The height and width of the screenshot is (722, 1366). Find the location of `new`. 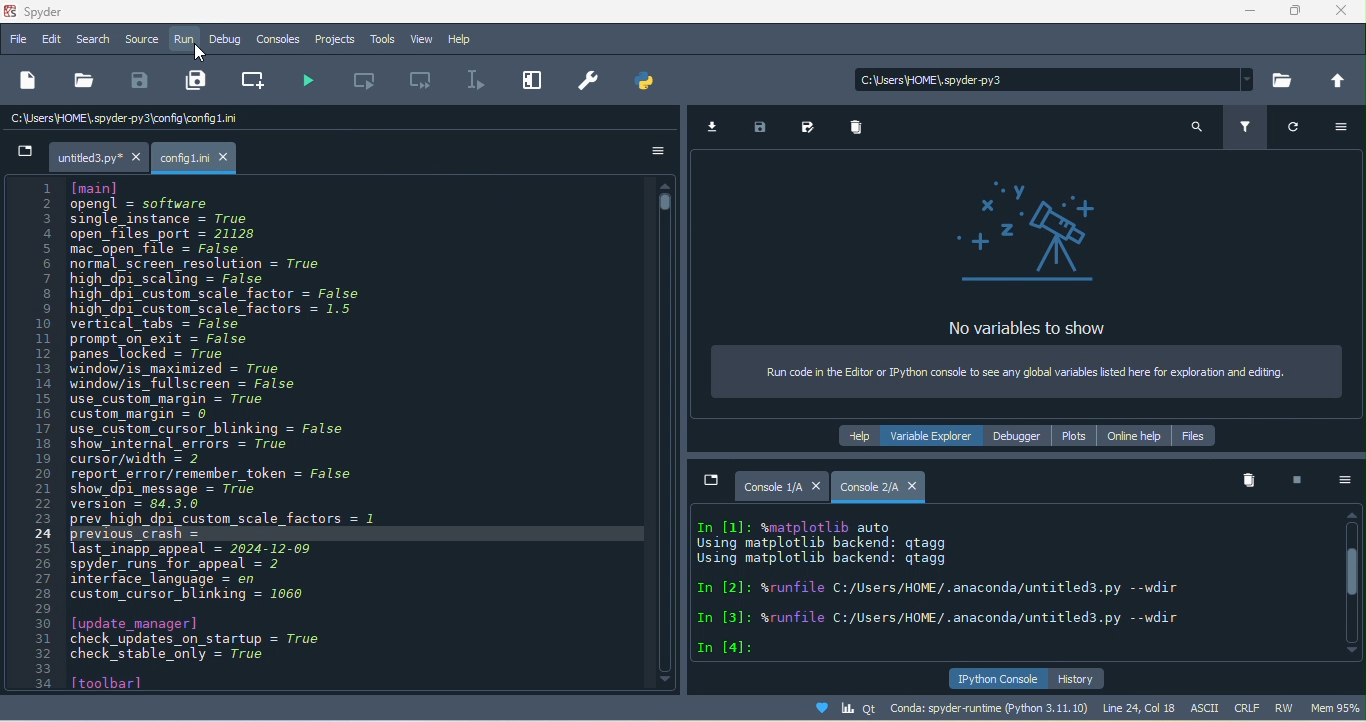

new is located at coordinates (26, 79).